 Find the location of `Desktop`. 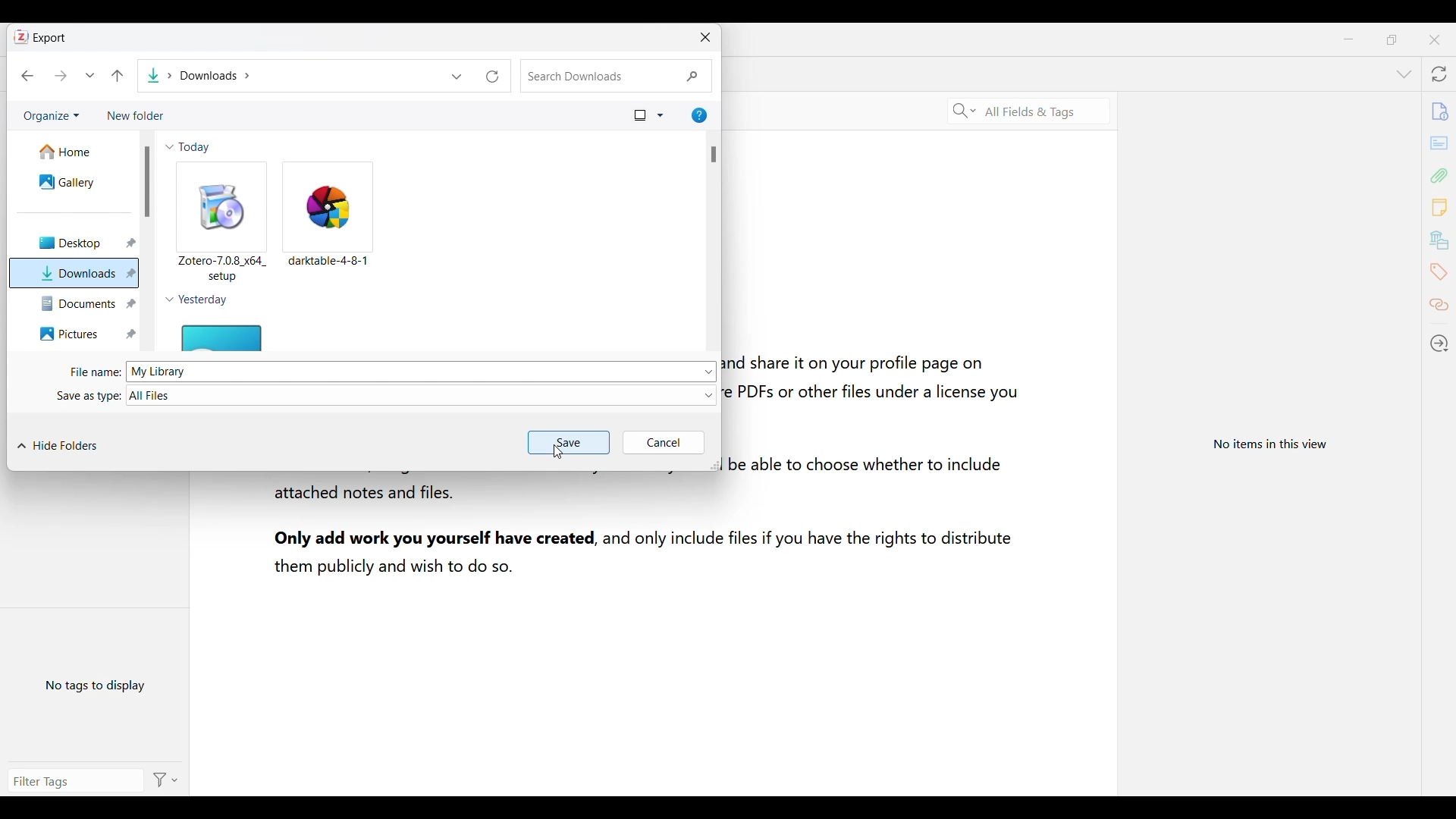

Desktop is located at coordinates (80, 241).